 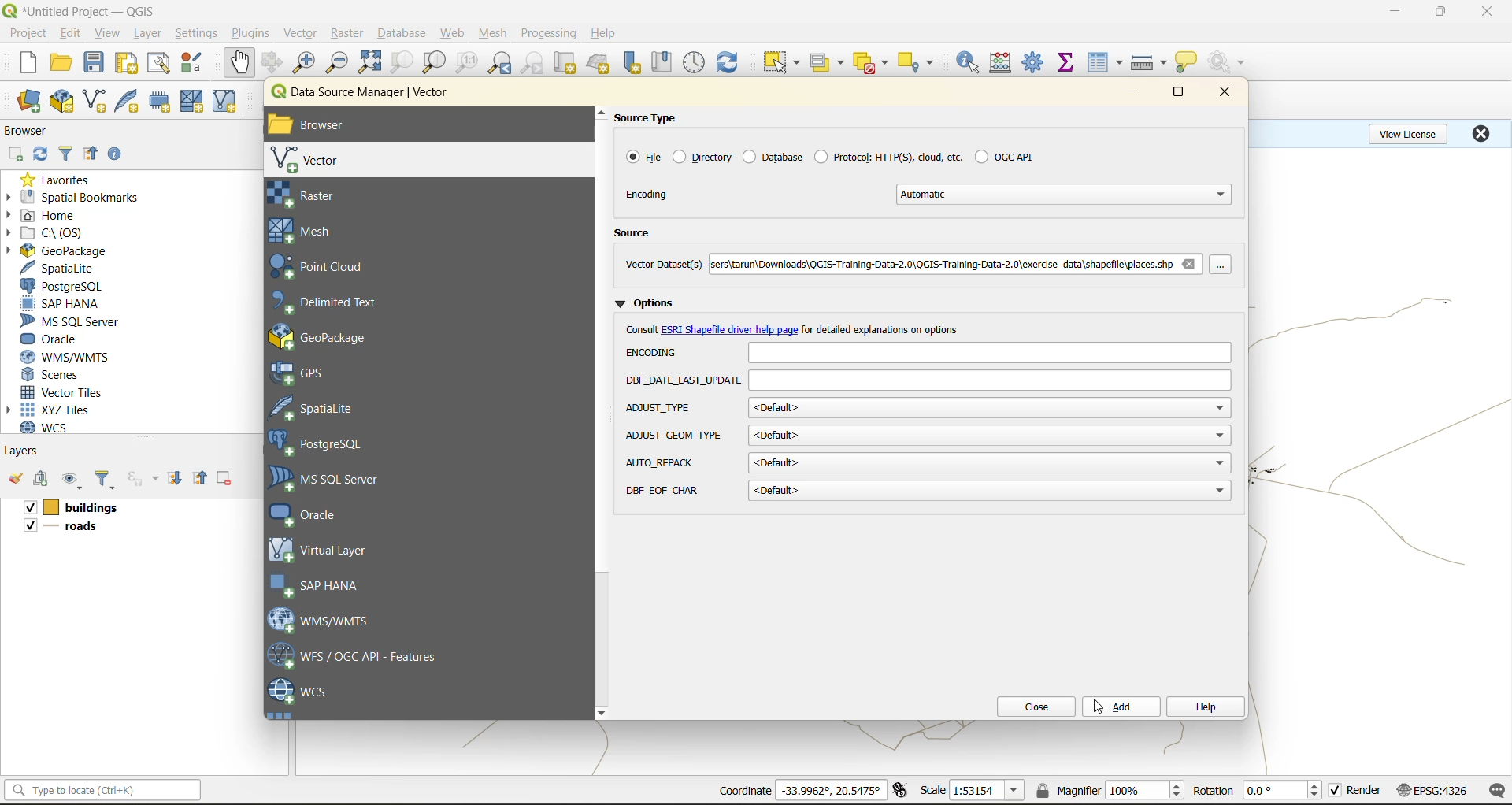 What do you see at coordinates (37, 156) in the screenshot?
I see `refresh` at bounding box center [37, 156].